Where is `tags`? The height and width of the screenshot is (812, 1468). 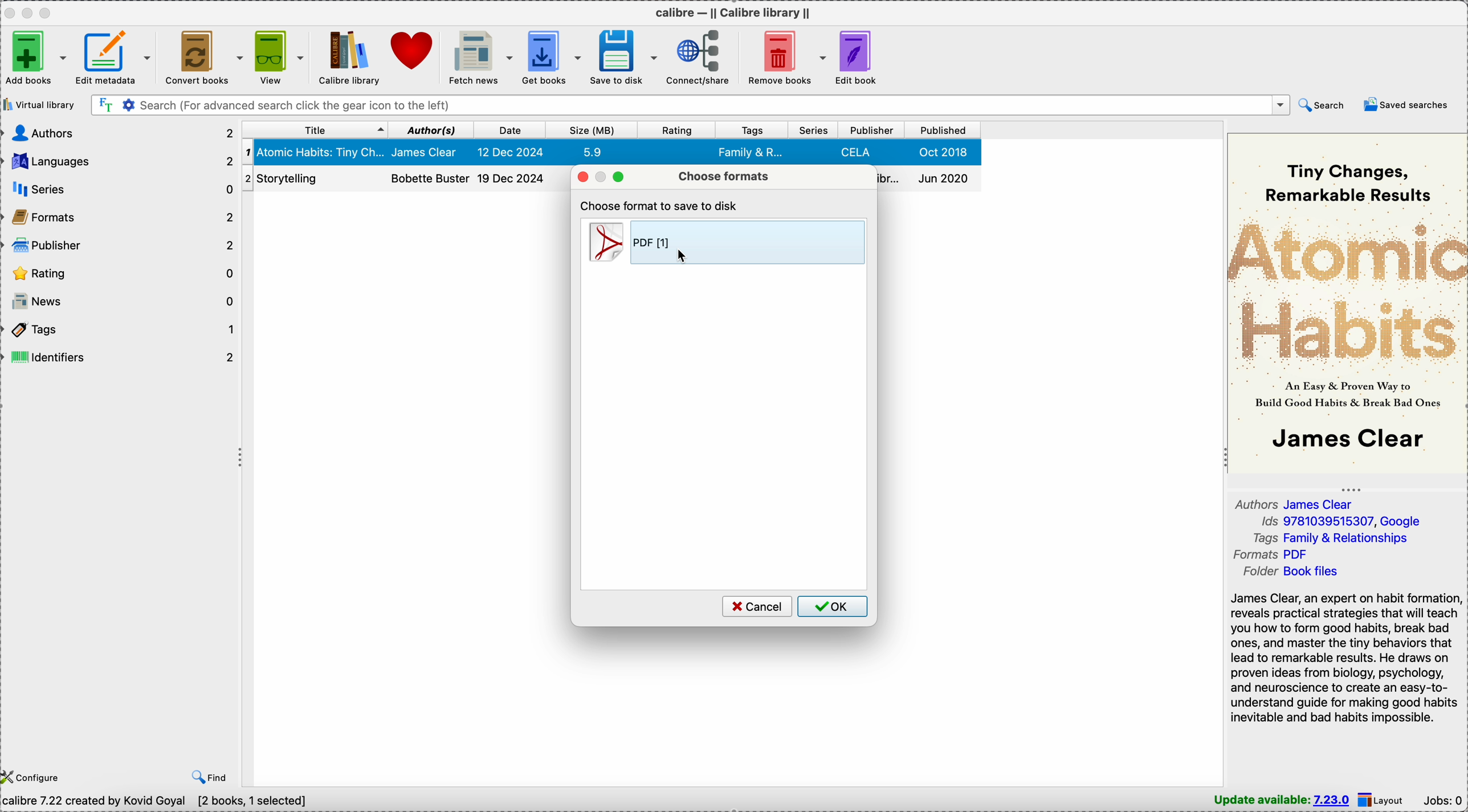 tags is located at coordinates (121, 332).